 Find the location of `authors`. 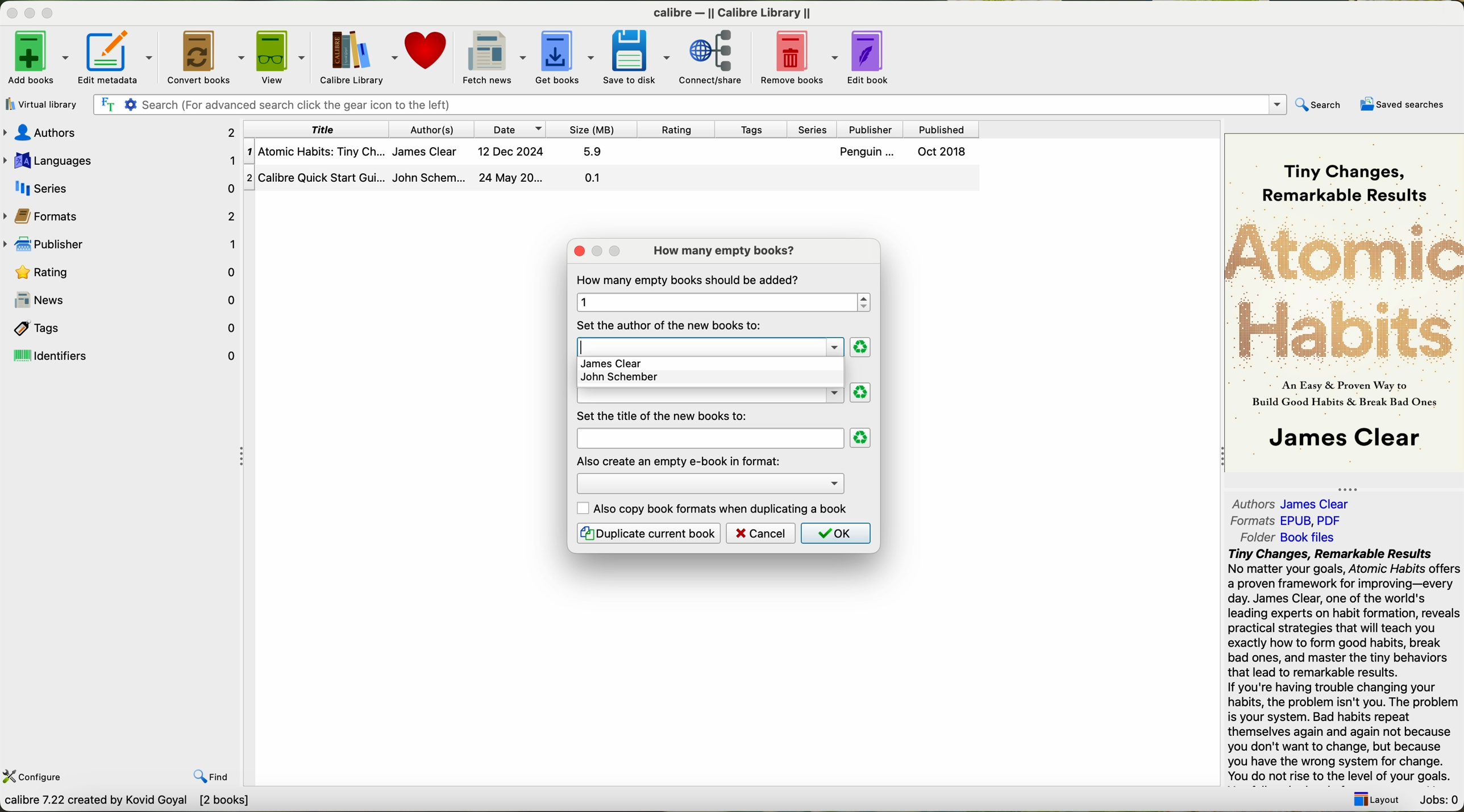

authors is located at coordinates (435, 127).